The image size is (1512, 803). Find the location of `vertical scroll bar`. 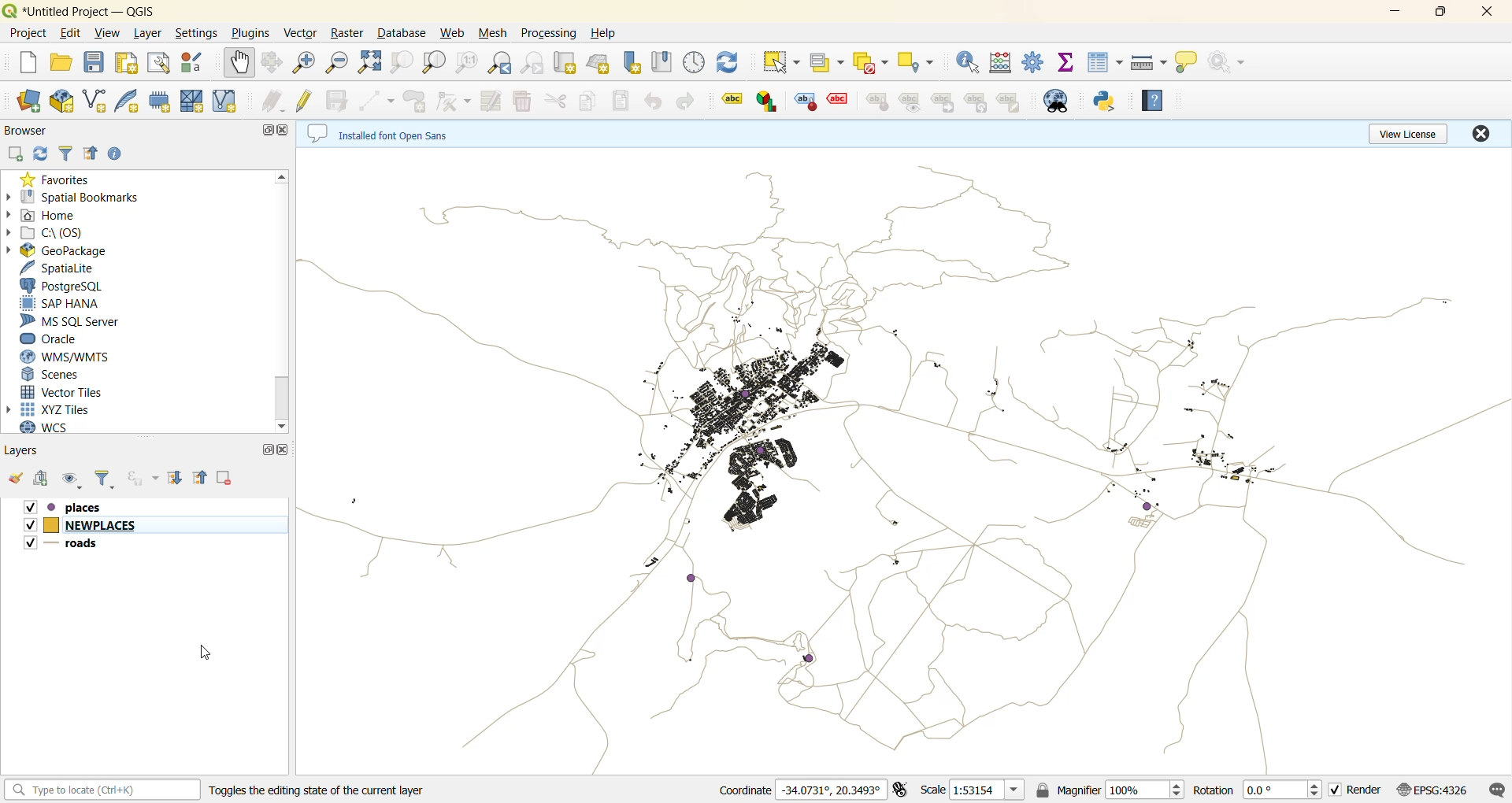

vertical scroll bar is located at coordinates (284, 302).